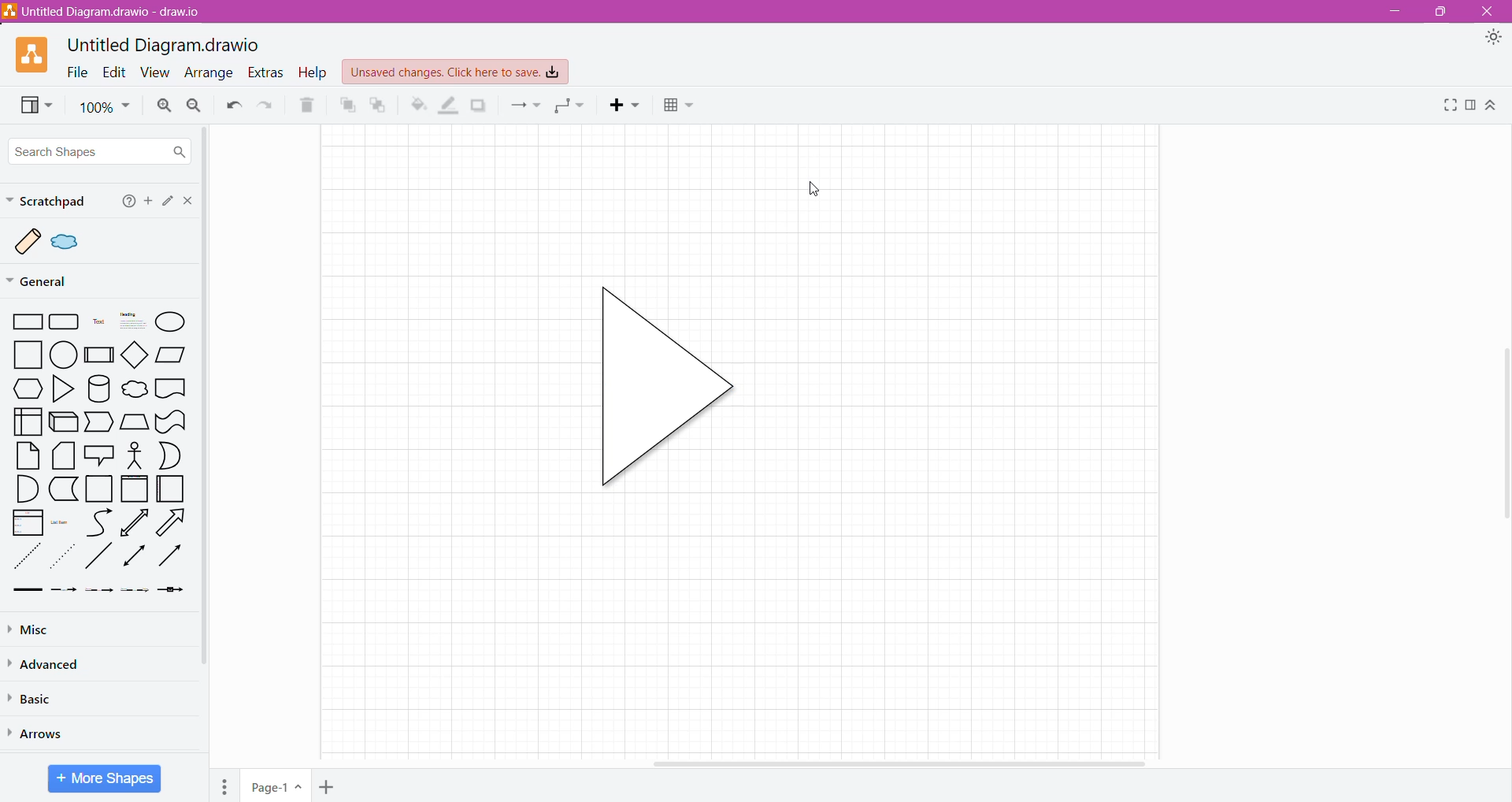 This screenshot has height=802, width=1512. I want to click on Waypoints, so click(571, 104).